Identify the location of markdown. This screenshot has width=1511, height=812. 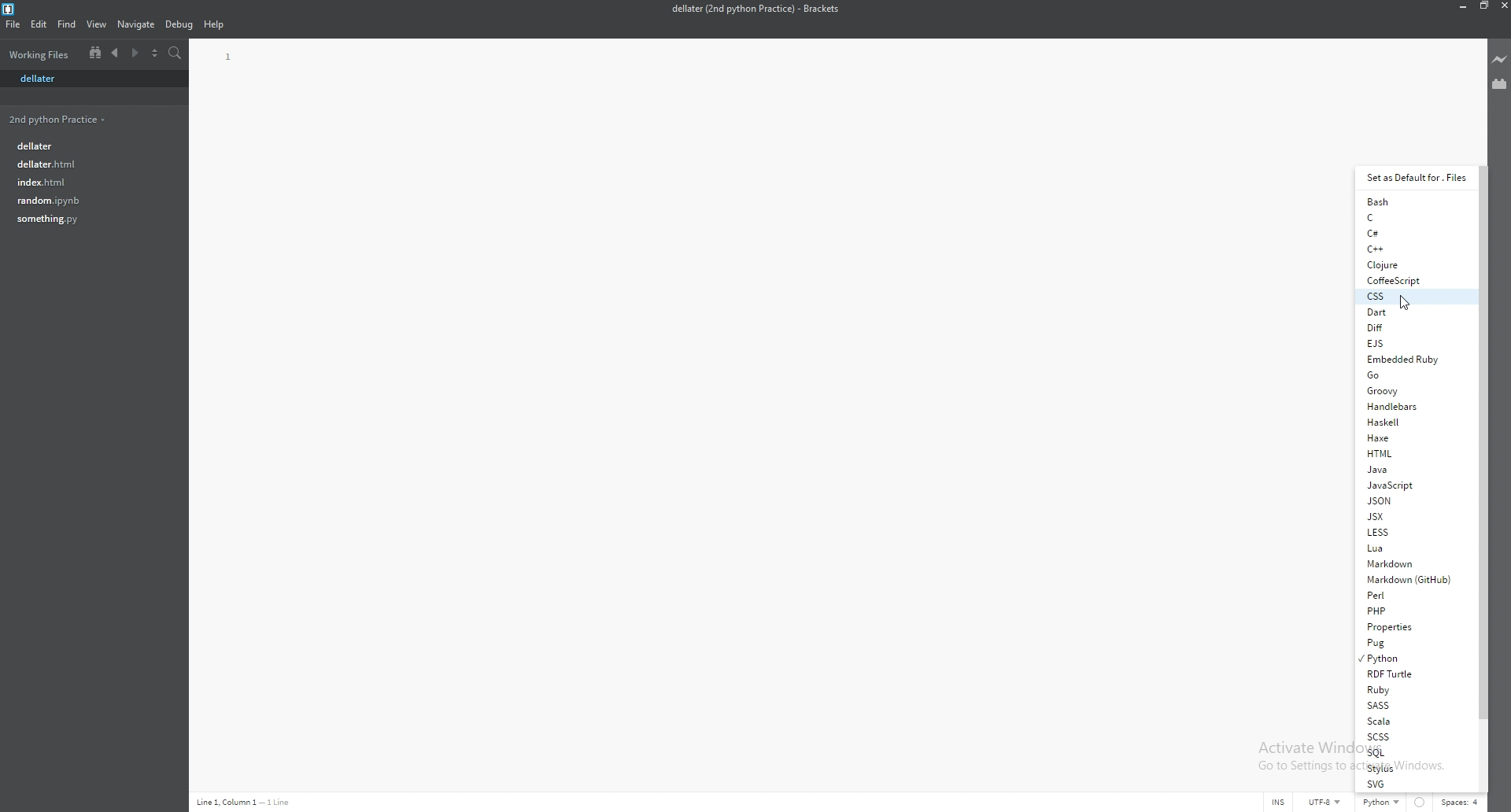
(1410, 564).